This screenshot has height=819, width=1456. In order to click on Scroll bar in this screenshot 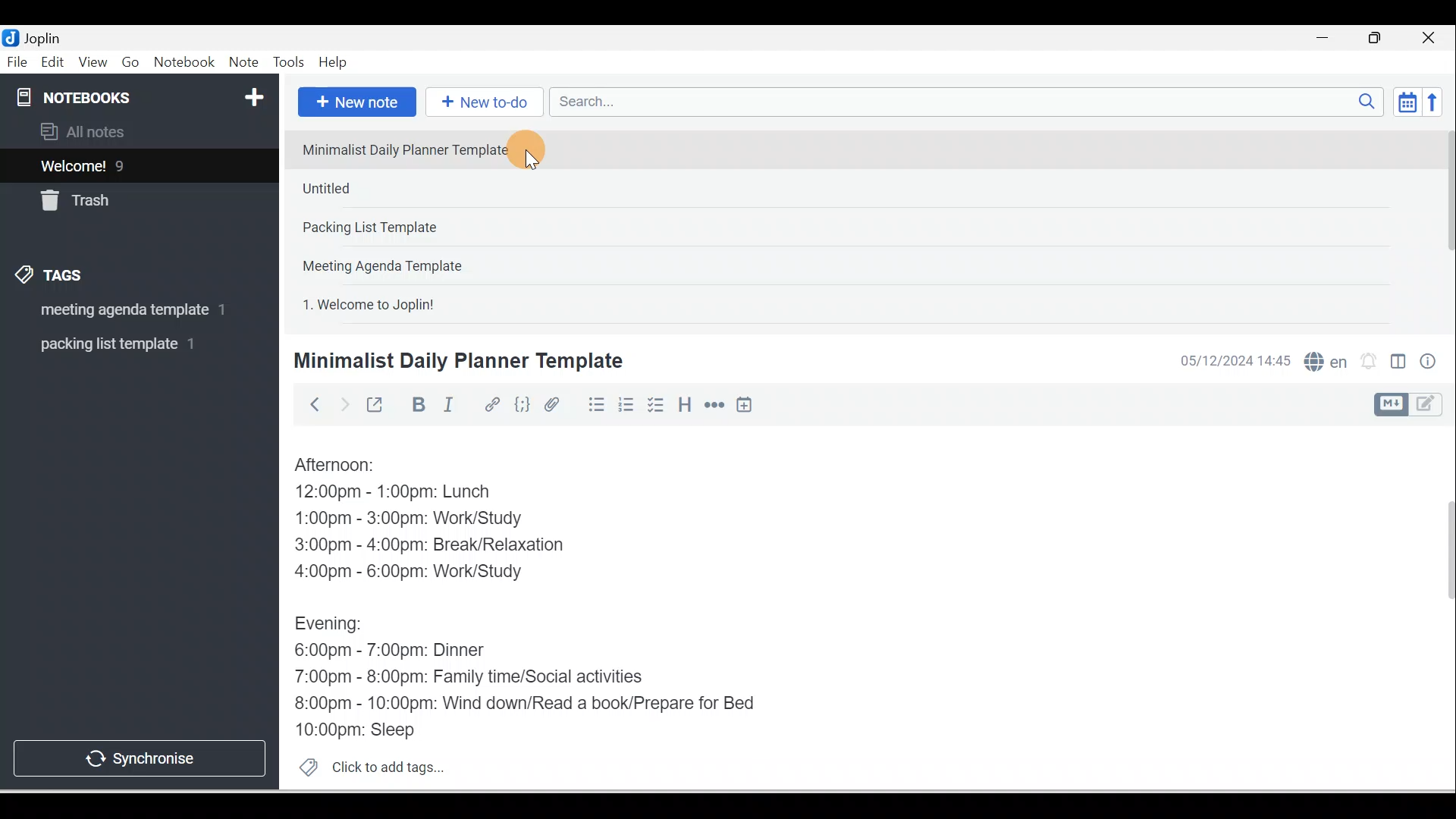, I will do `click(1444, 224)`.